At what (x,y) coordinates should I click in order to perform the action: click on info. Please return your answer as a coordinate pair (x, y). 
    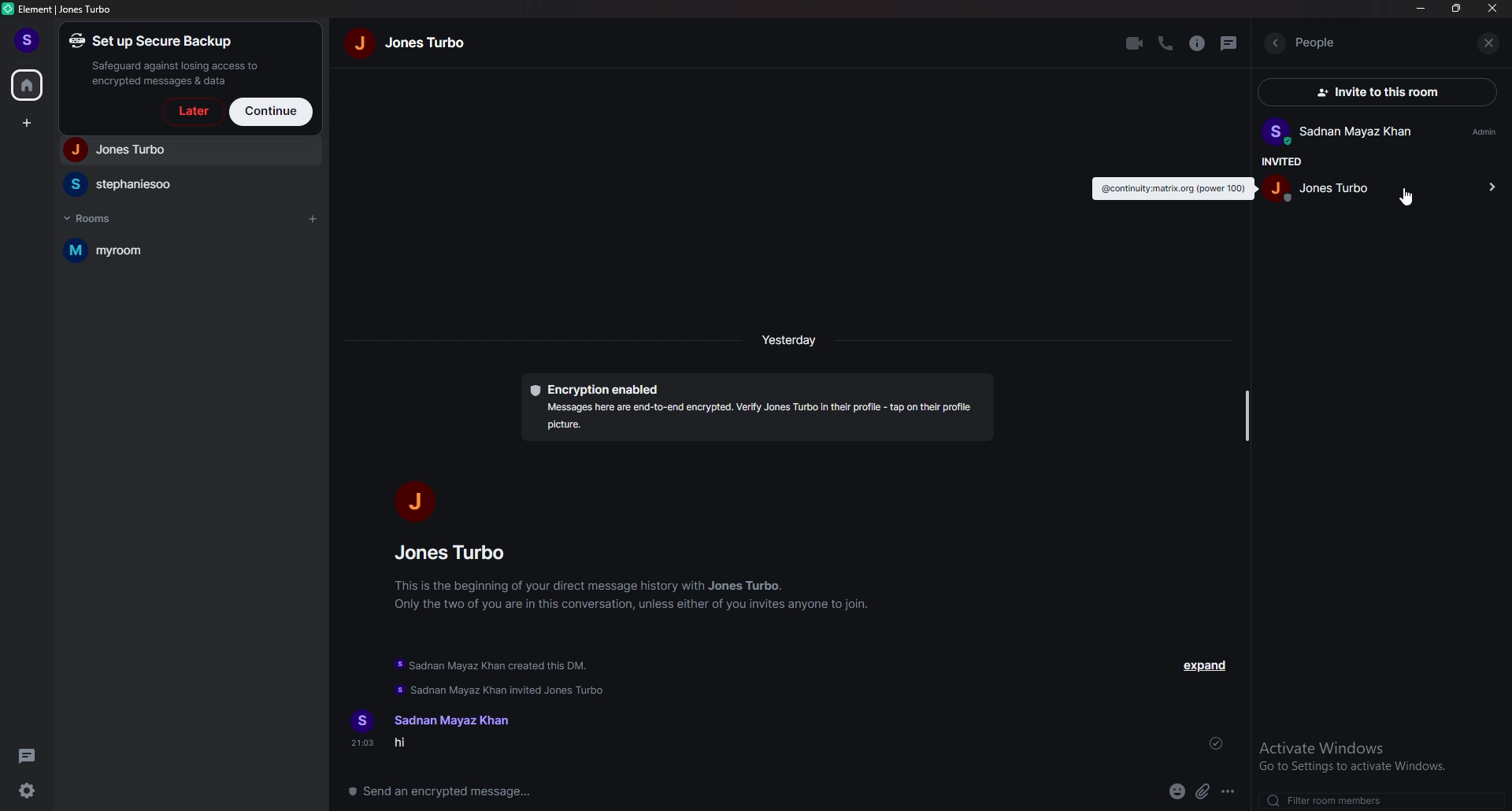
    Looking at the image, I should click on (1198, 43).